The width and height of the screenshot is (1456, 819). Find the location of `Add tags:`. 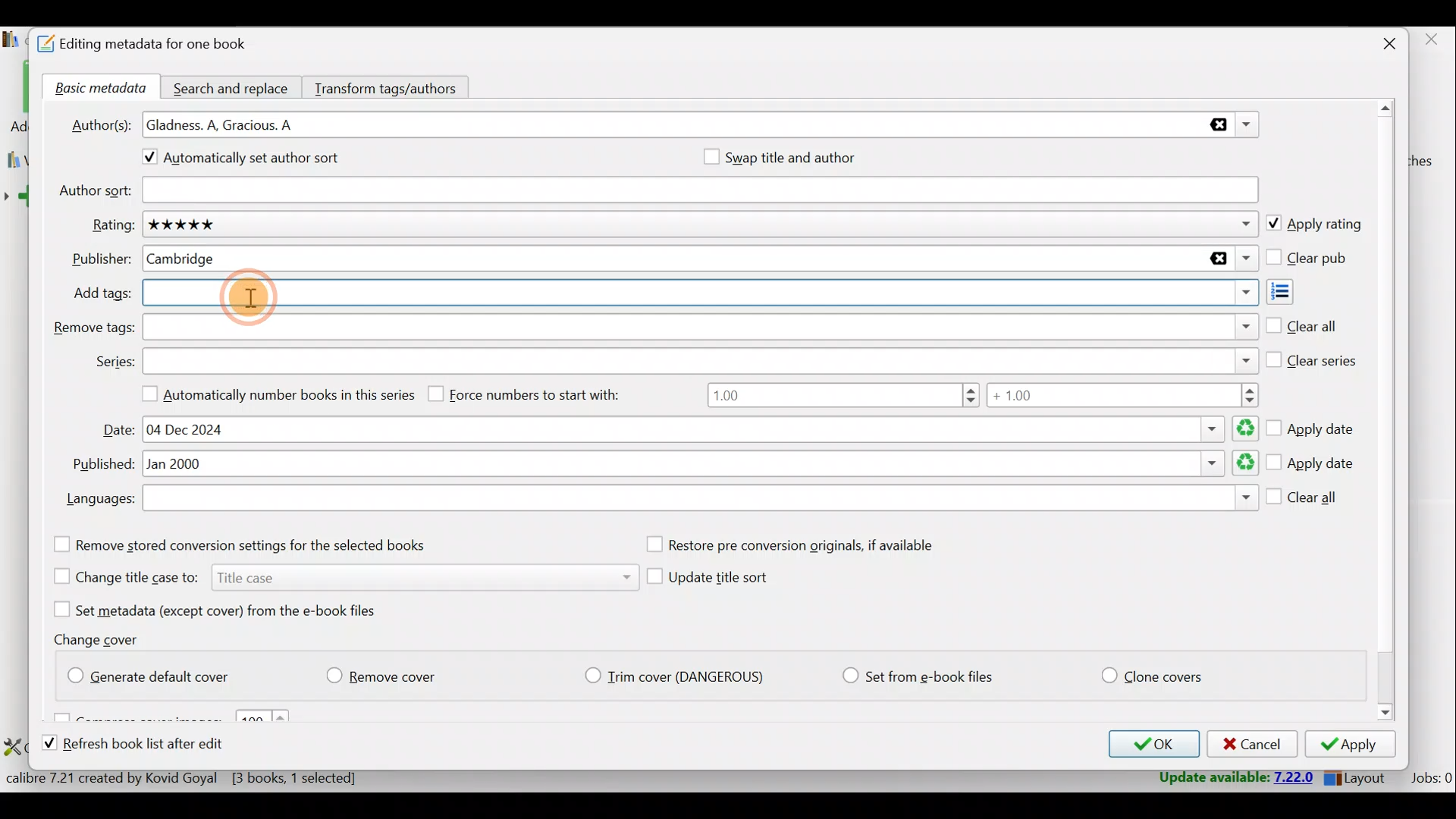

Add tags: is located at coordinates (102, 293).